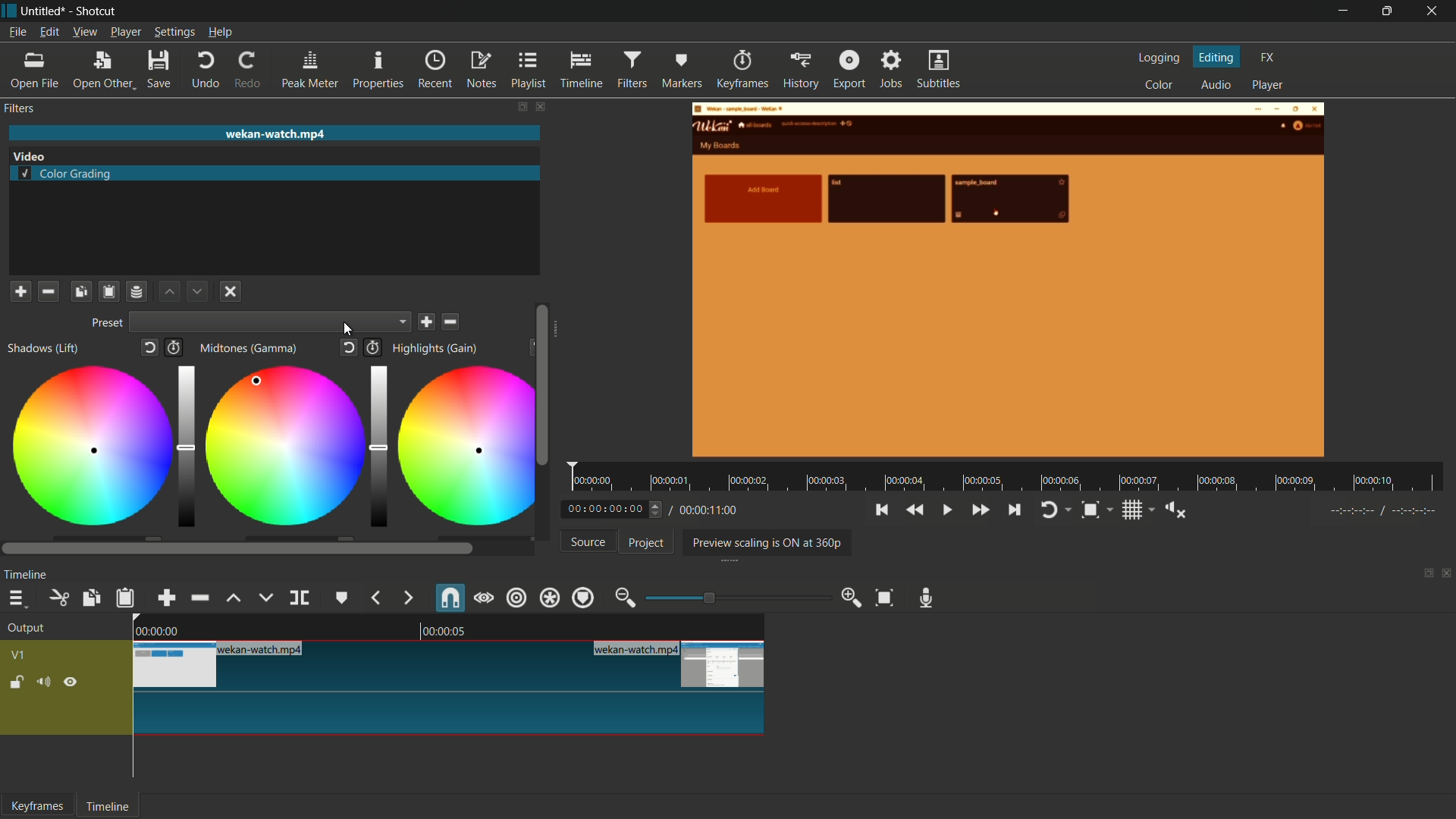 This screenshot has width=1456, height=819. What do you see at coordinates (616, 508) in the screenshot?
I see `current time` at bounding box center [616, 508].